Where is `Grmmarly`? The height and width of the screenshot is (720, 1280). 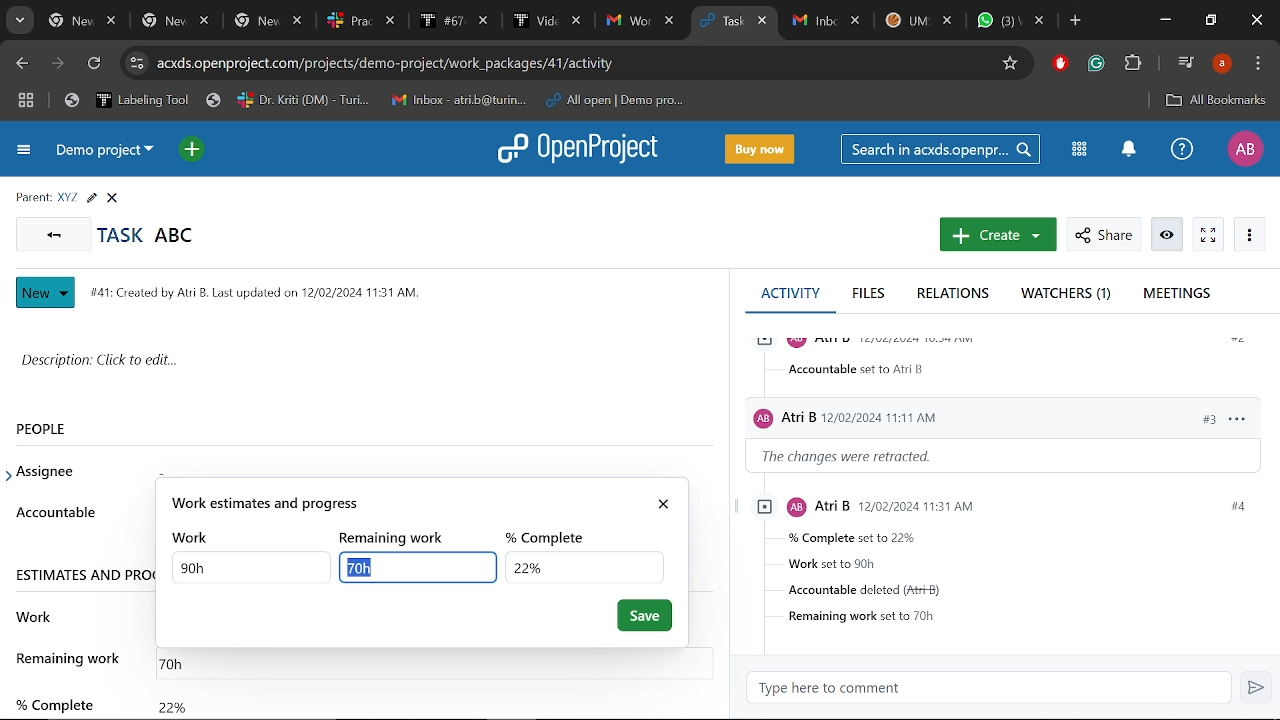
Grmmarly is located at coordinates (1098, 66).